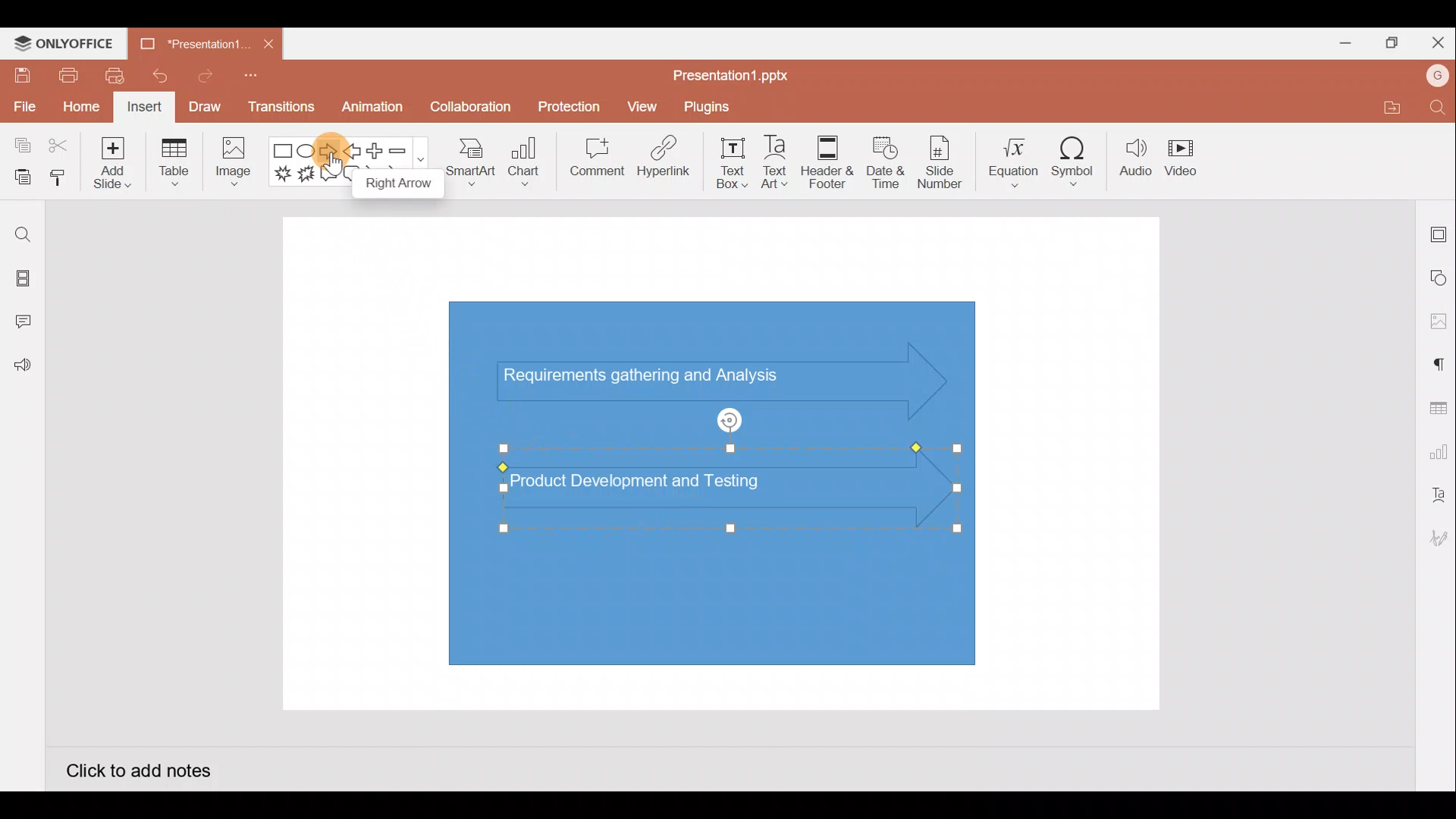 This screenshot has width=1456, height=819. I want to click on Video, so click(1183, 155).